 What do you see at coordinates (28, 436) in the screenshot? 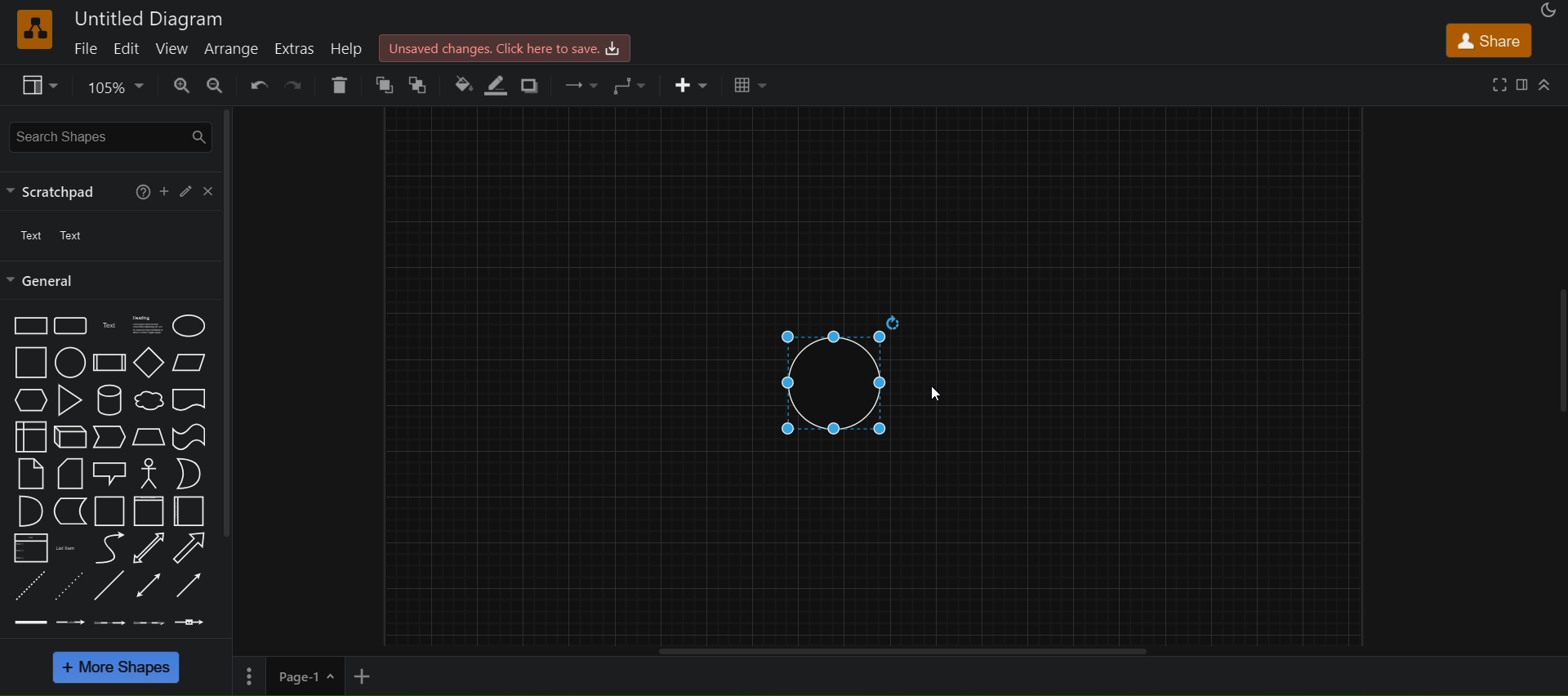
I see `internal storage` at bounding box center [28, 436].